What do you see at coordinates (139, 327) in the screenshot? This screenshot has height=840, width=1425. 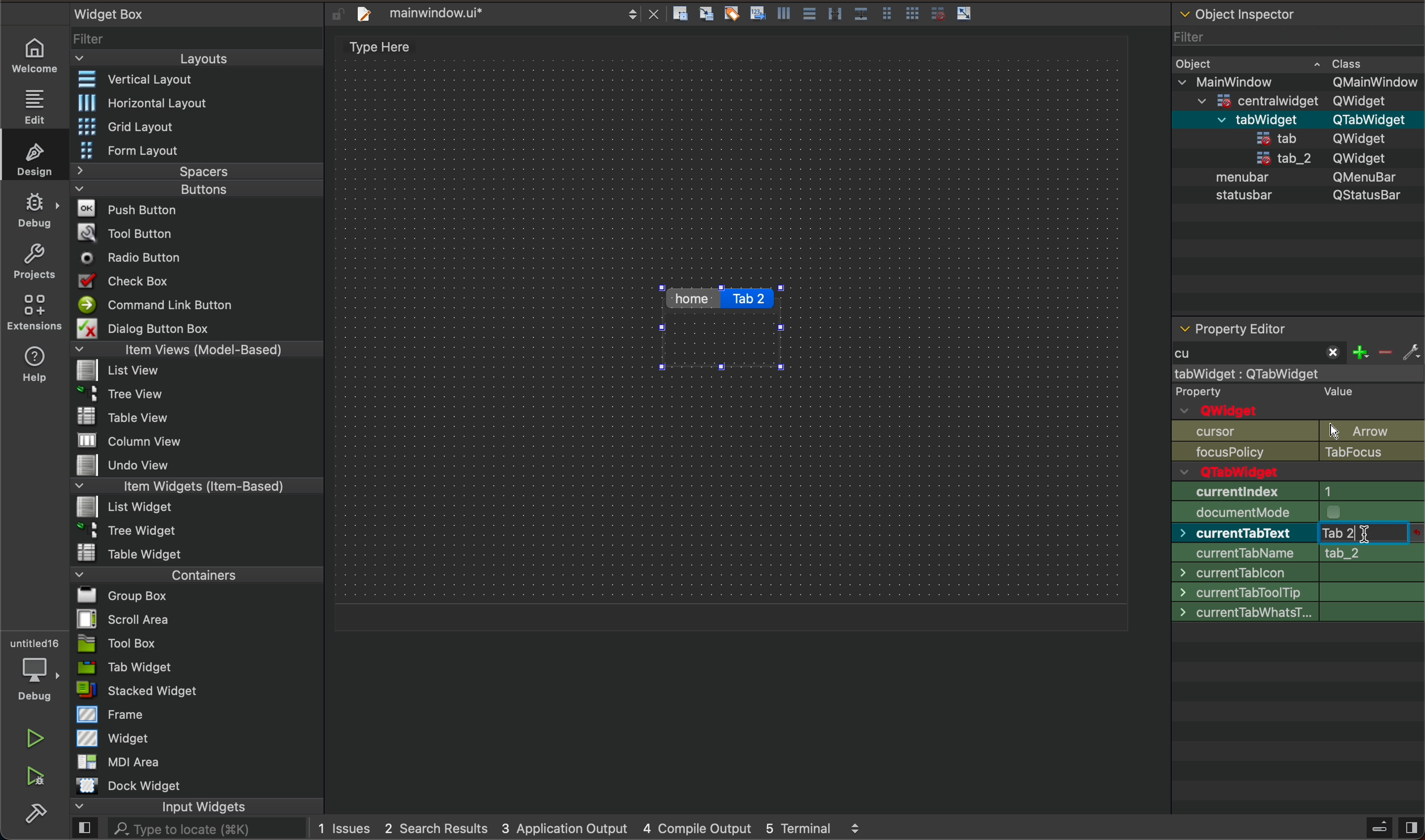 I see `Dialog Button Box` at bounding box center [139, 327].